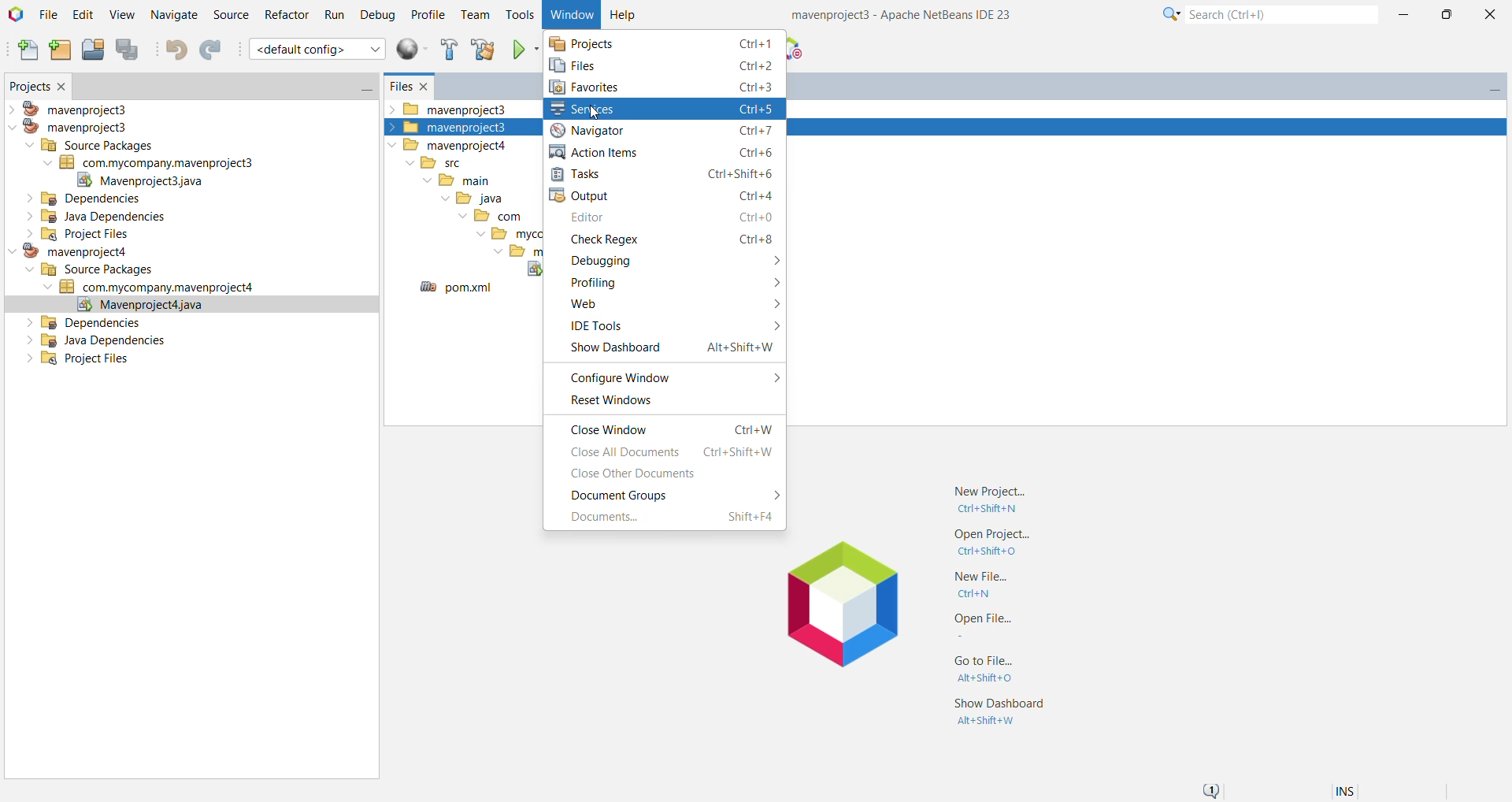  Describe the element at coordinates (662, 109) in the screenshot. I see `Click to Open Services Window` at that location.